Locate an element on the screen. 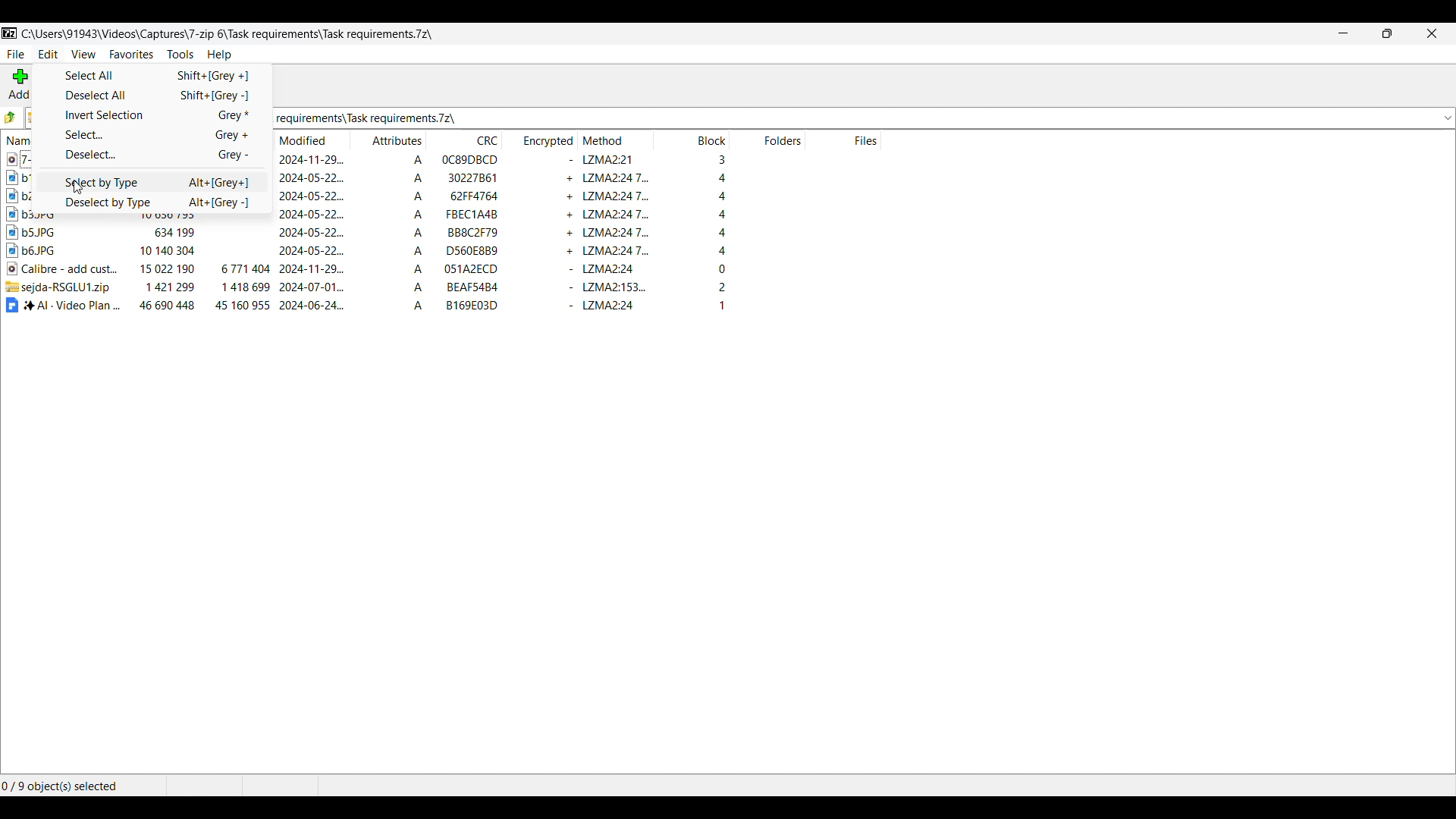 The image size is (1456, 819). Selected files and folders out of the total number of files and folders in the current folder is located at coordinates (83, 786).